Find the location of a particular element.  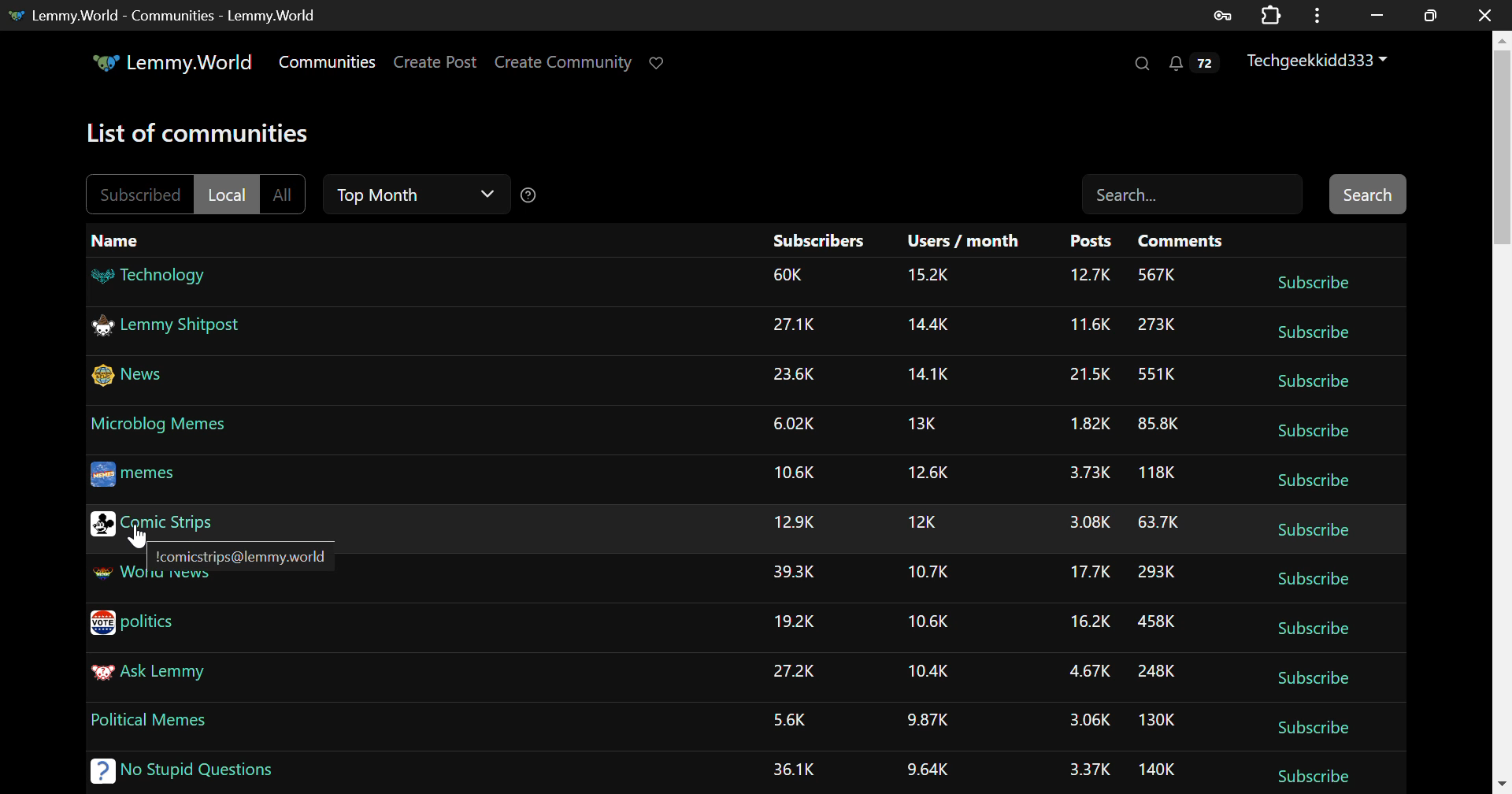

Amount is located at coordinates (1085, 523).